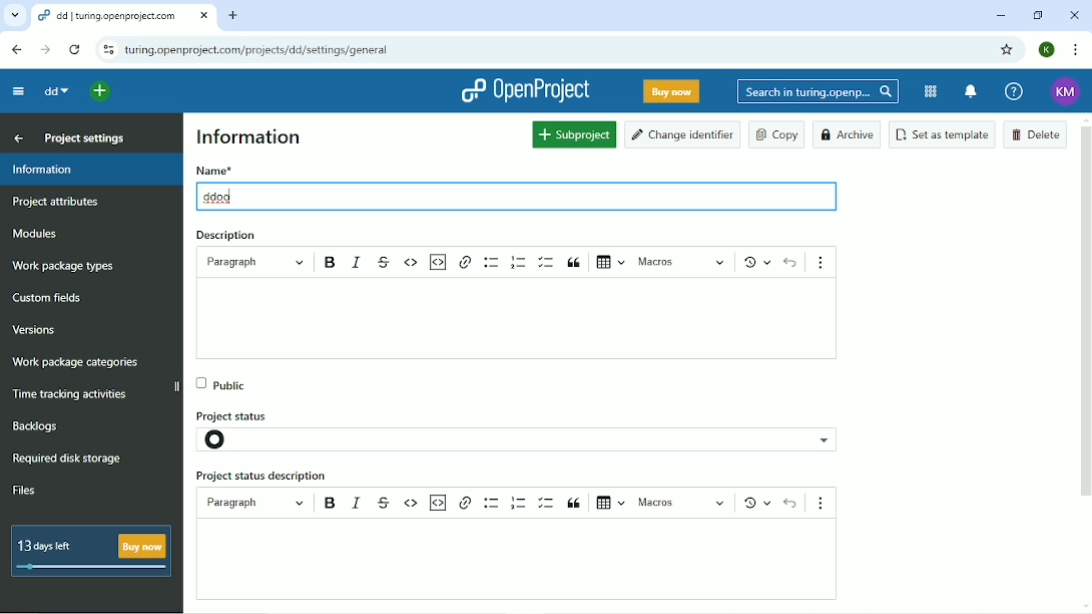 The height and width of the screenshot is (614, 1092). What do you see at coordinates (549, 262) in the screenshot?
I see `To-do list` at bounding box center [549, 262].